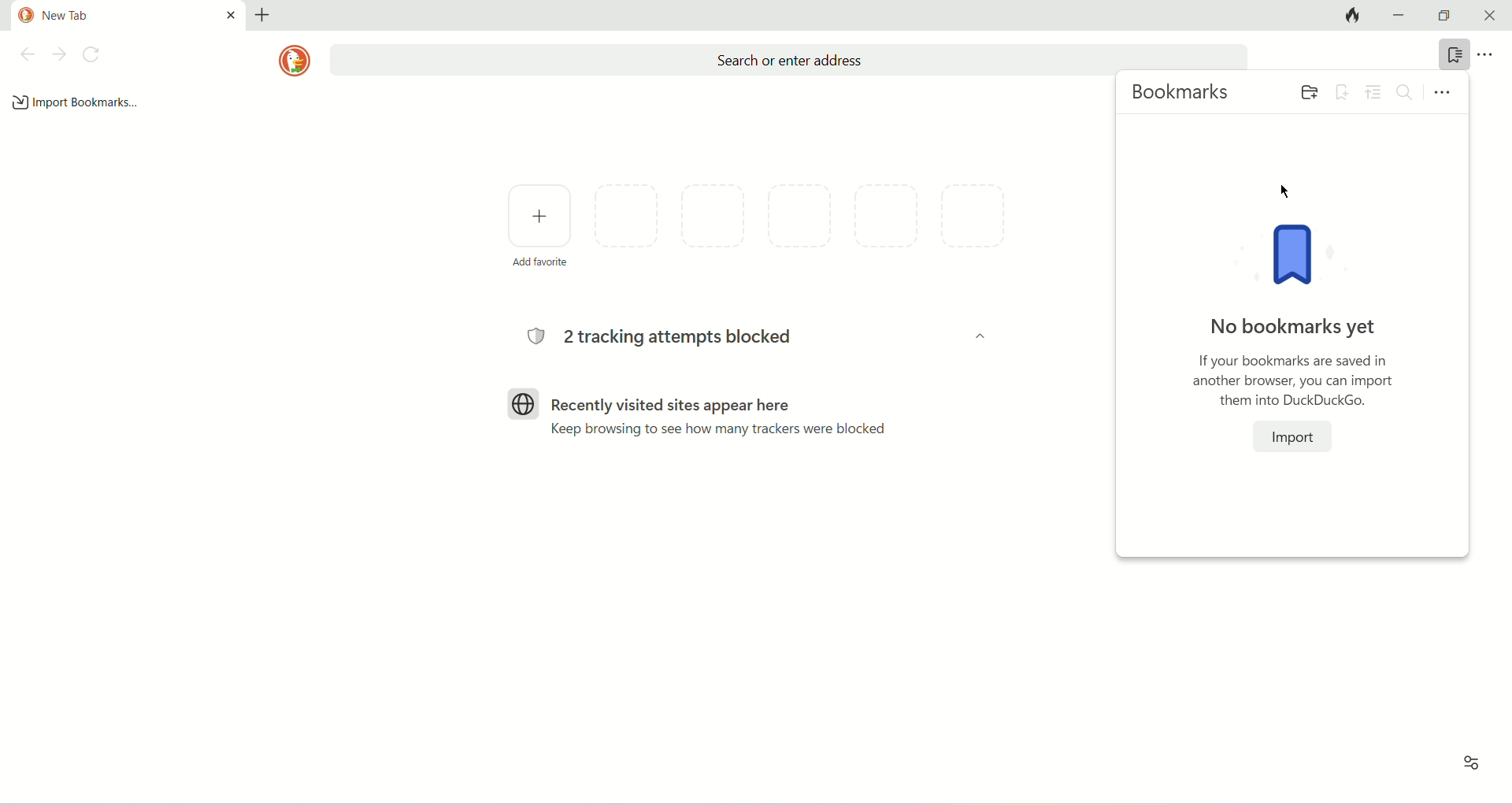 Image resolution: width=1512 pixels, height=805 pixels. Describe the element at coordinates (1293, 360) in the screenshot. I see `No bookmarks yet
If your bookmarks are saved in
nother browser, you can import
them into DuckDuckGo.` at that location.